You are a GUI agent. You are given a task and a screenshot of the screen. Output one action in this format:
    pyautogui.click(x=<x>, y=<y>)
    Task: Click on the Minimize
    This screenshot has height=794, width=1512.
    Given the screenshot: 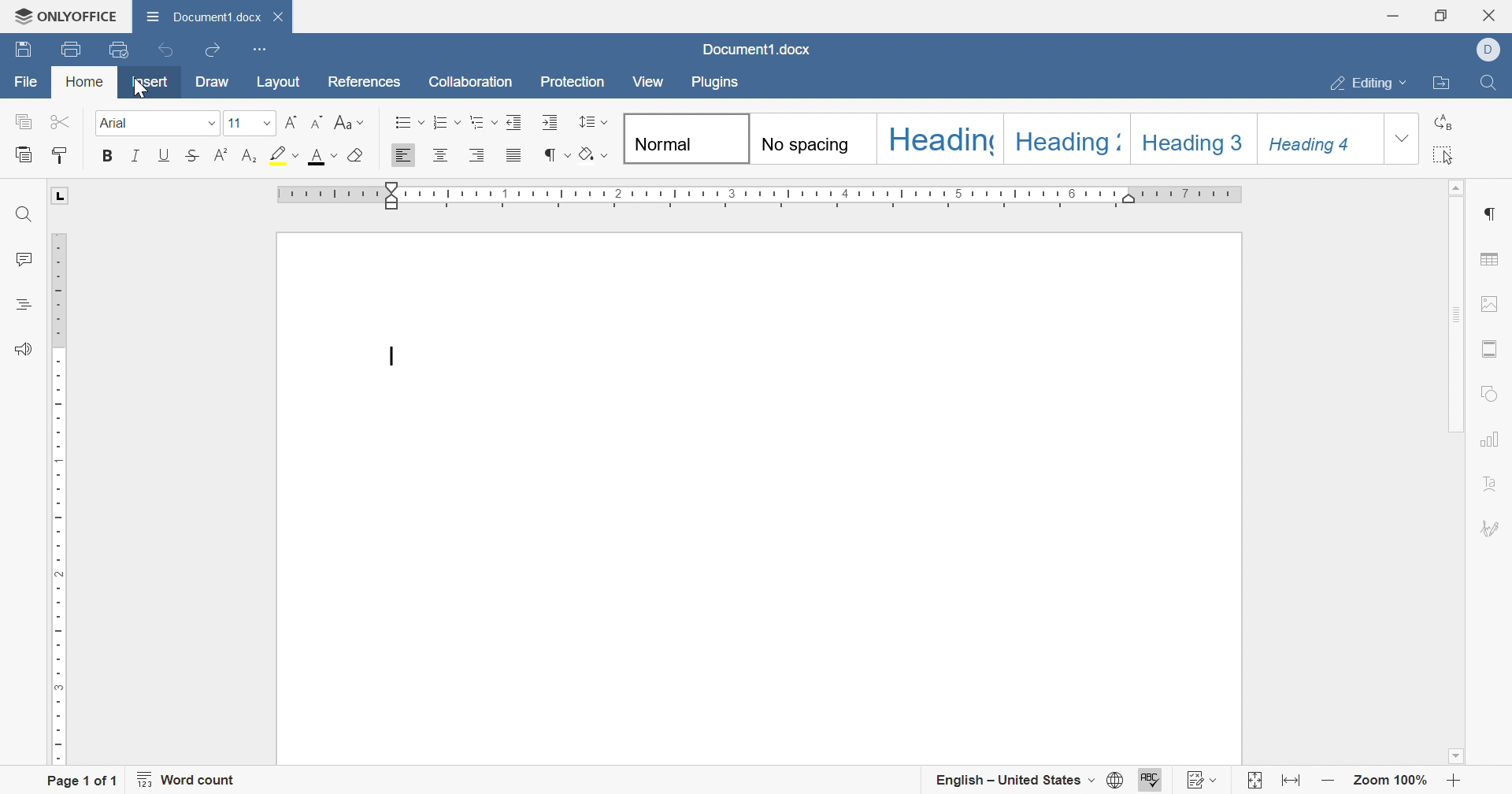 What is the action you would take?
    pyautogui.click(x=1393, y=17)
    